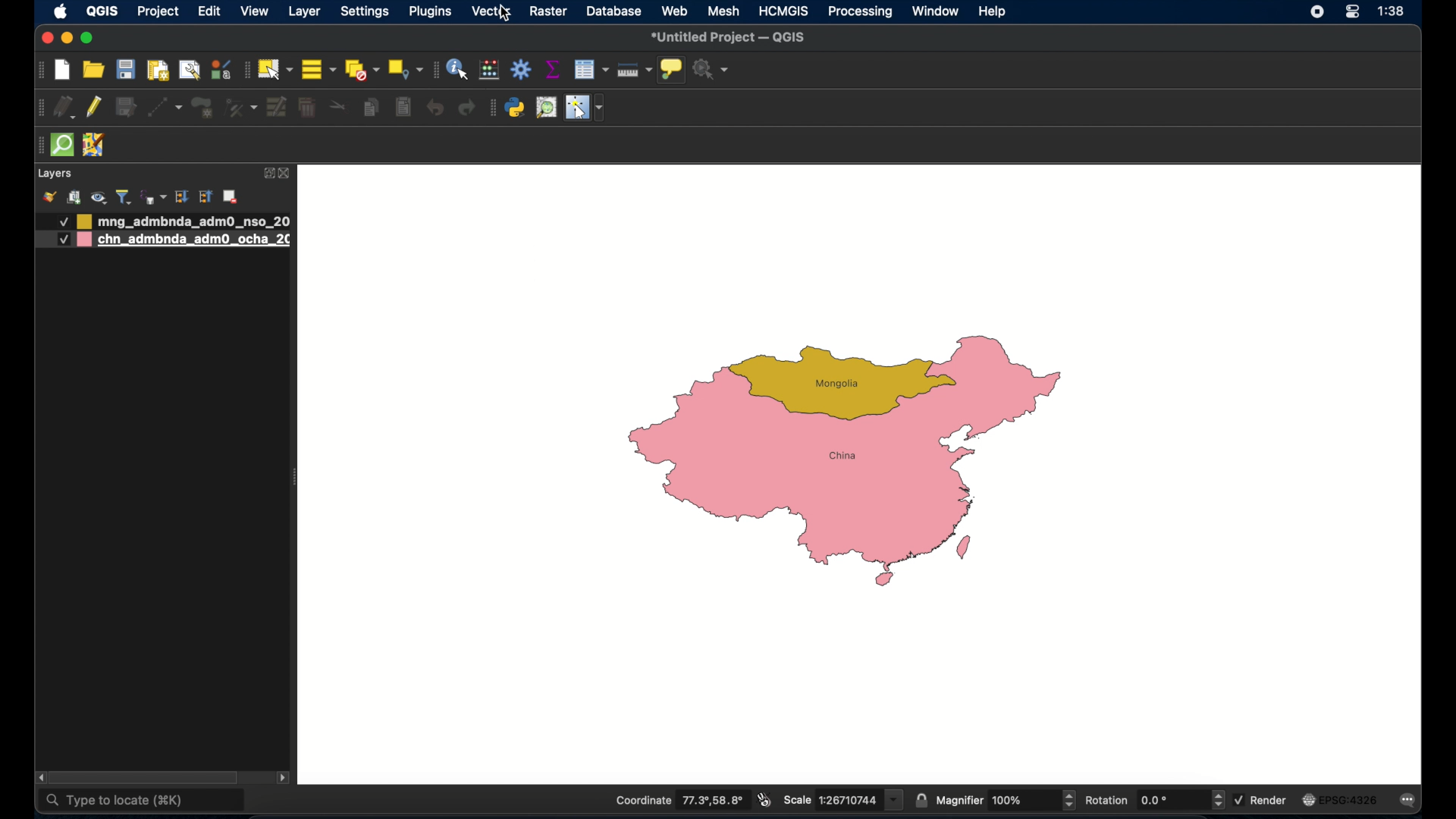  Describe the element at coordinates (550, 12) in the screenshot. I see `raster` at that location.